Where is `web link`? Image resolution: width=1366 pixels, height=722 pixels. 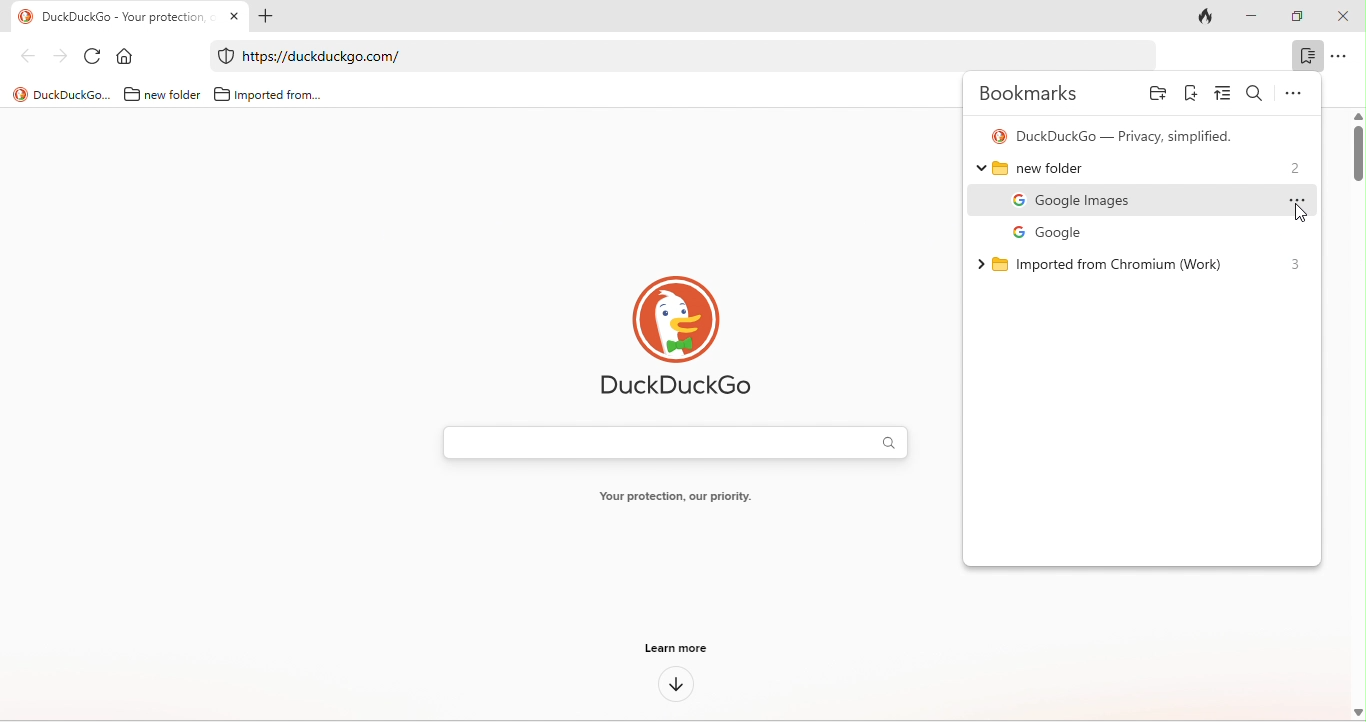
web link is located at coordinates (672, 56).